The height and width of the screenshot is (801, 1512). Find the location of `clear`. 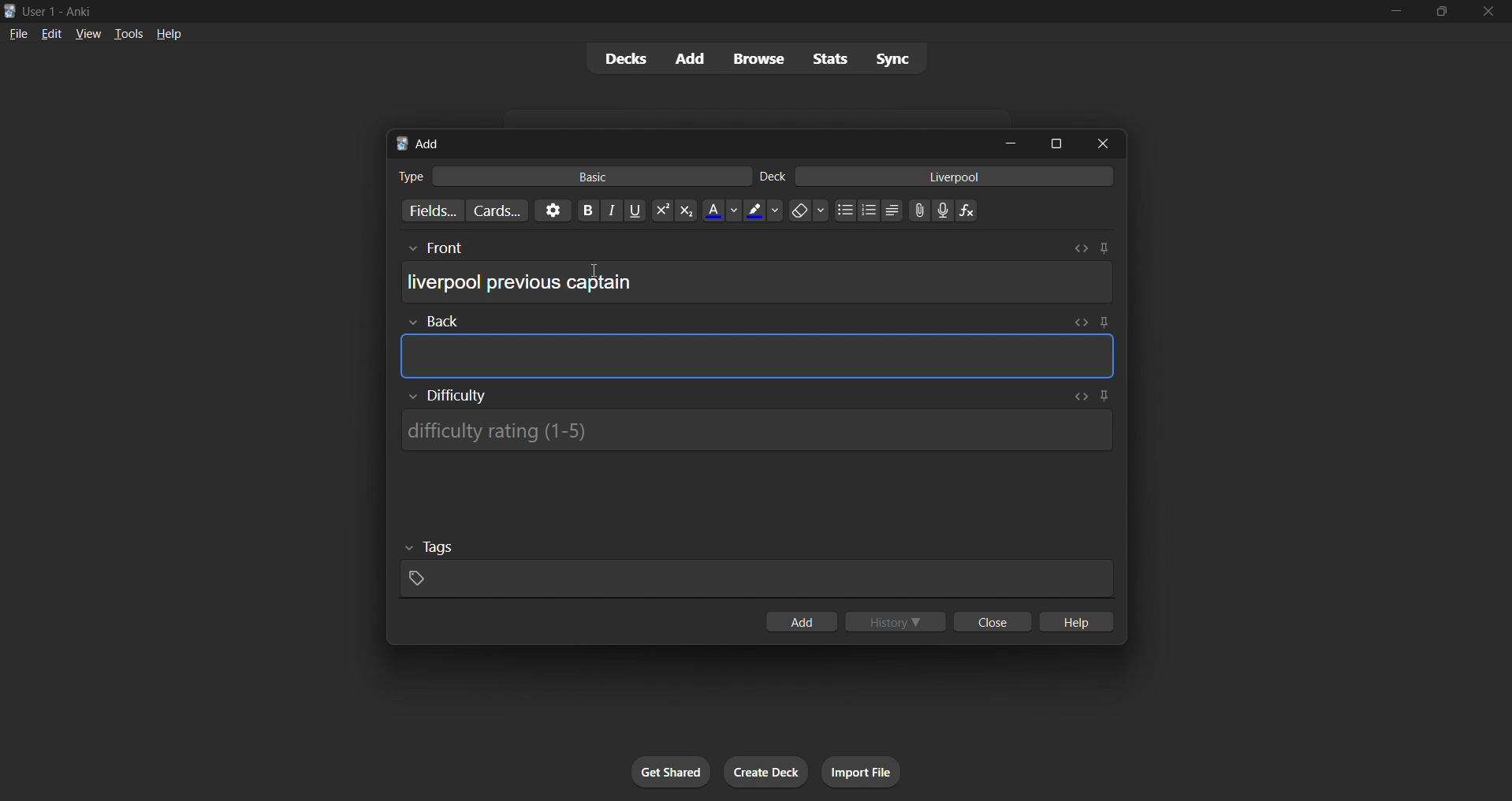

clear is located at coordinates (808, 210).